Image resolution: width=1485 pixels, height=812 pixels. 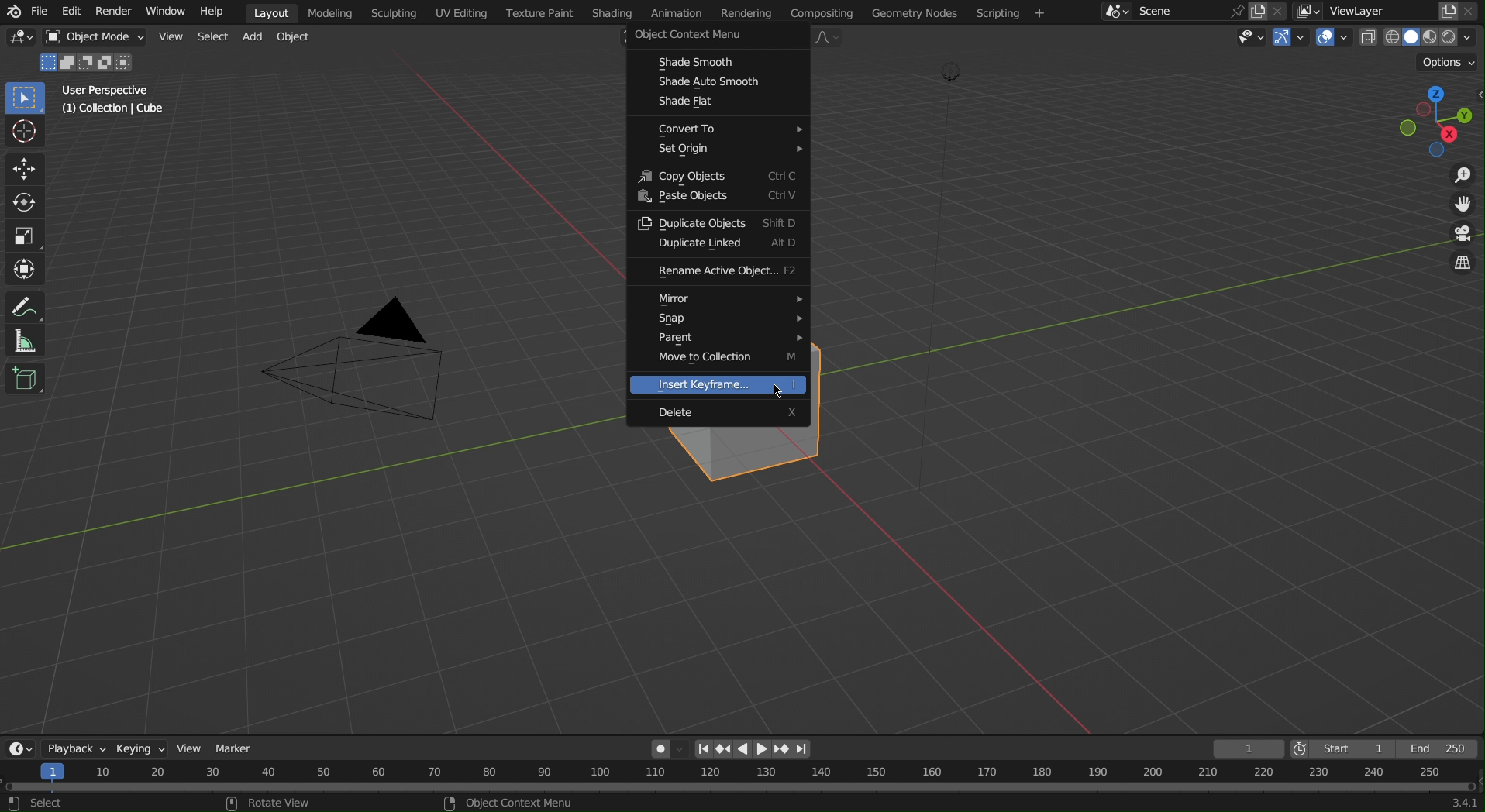 I want to click on Window, so click(x=167, y=13).